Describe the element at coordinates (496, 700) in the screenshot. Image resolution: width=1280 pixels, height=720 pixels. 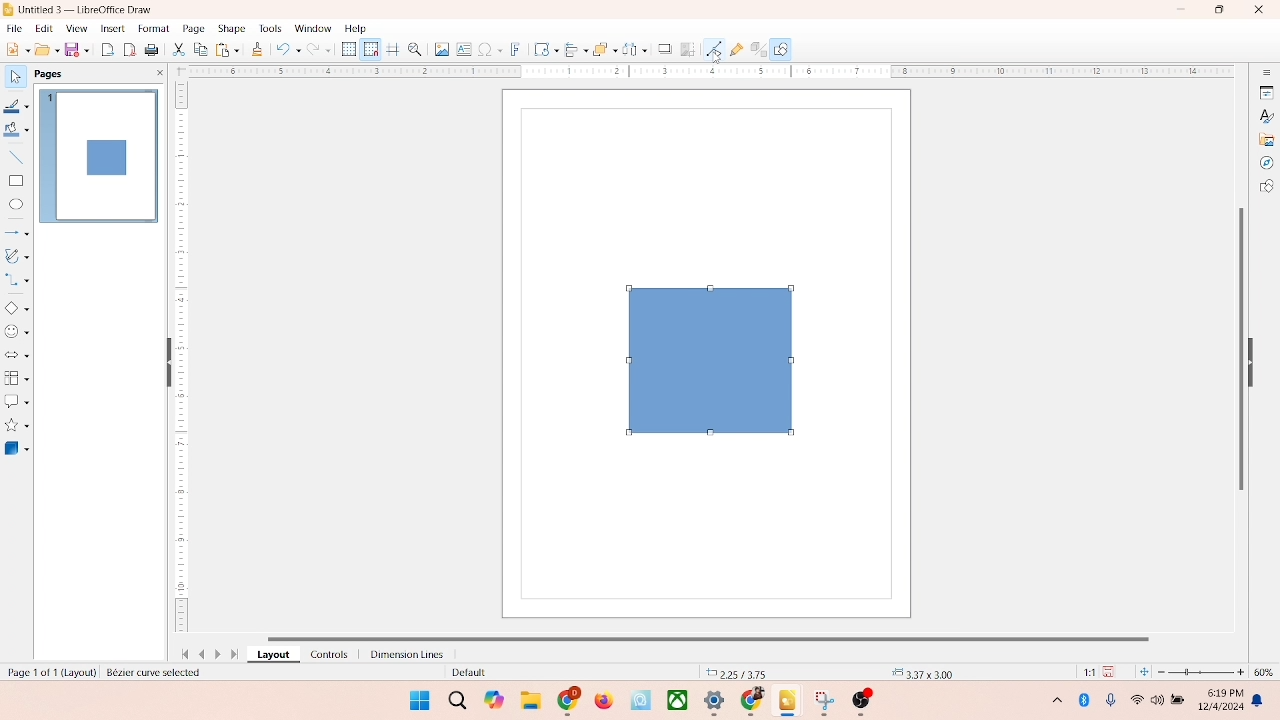
I see `copilot` at that location.